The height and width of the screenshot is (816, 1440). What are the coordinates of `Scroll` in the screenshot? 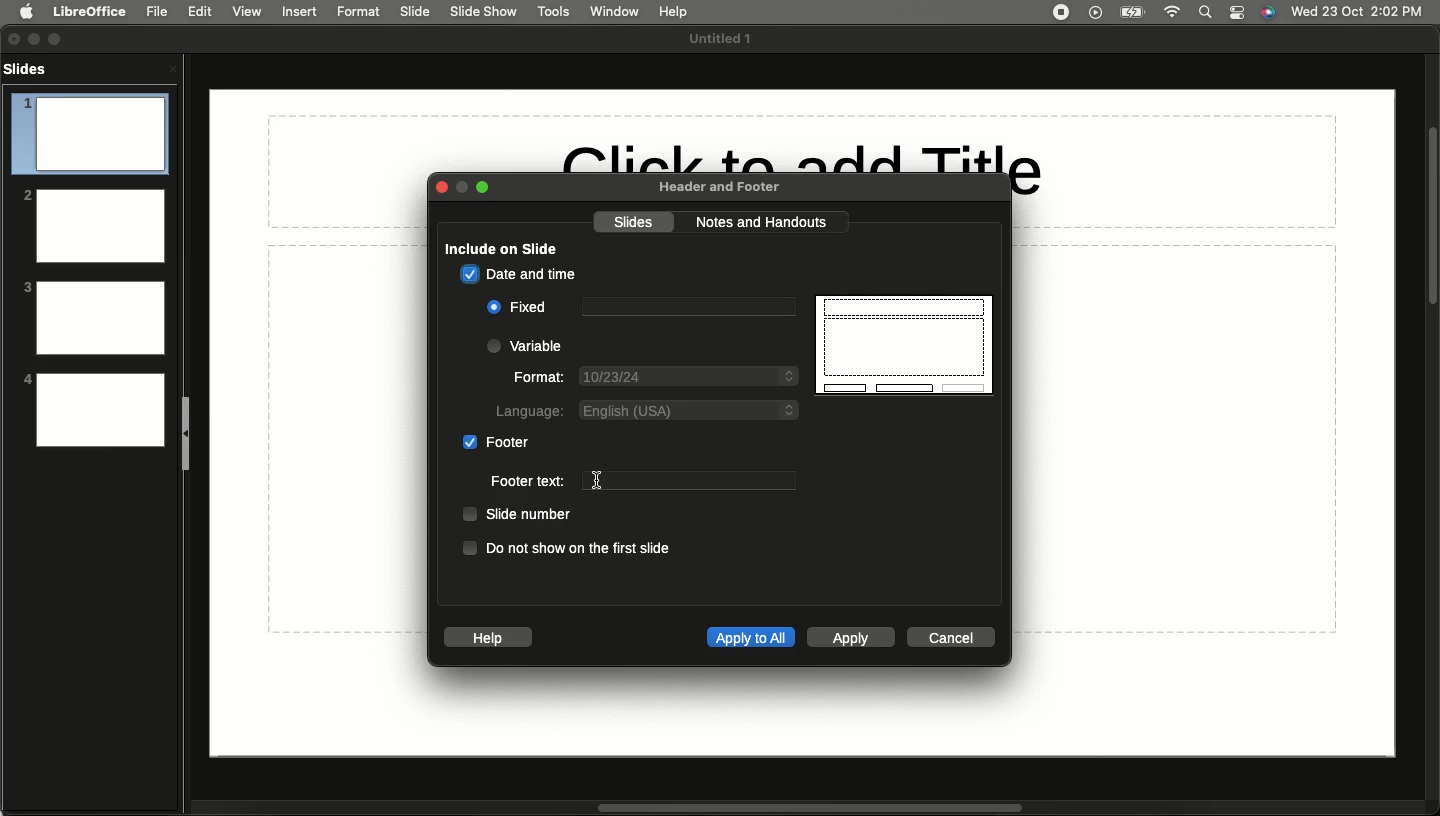 It's located at (1431, 217).